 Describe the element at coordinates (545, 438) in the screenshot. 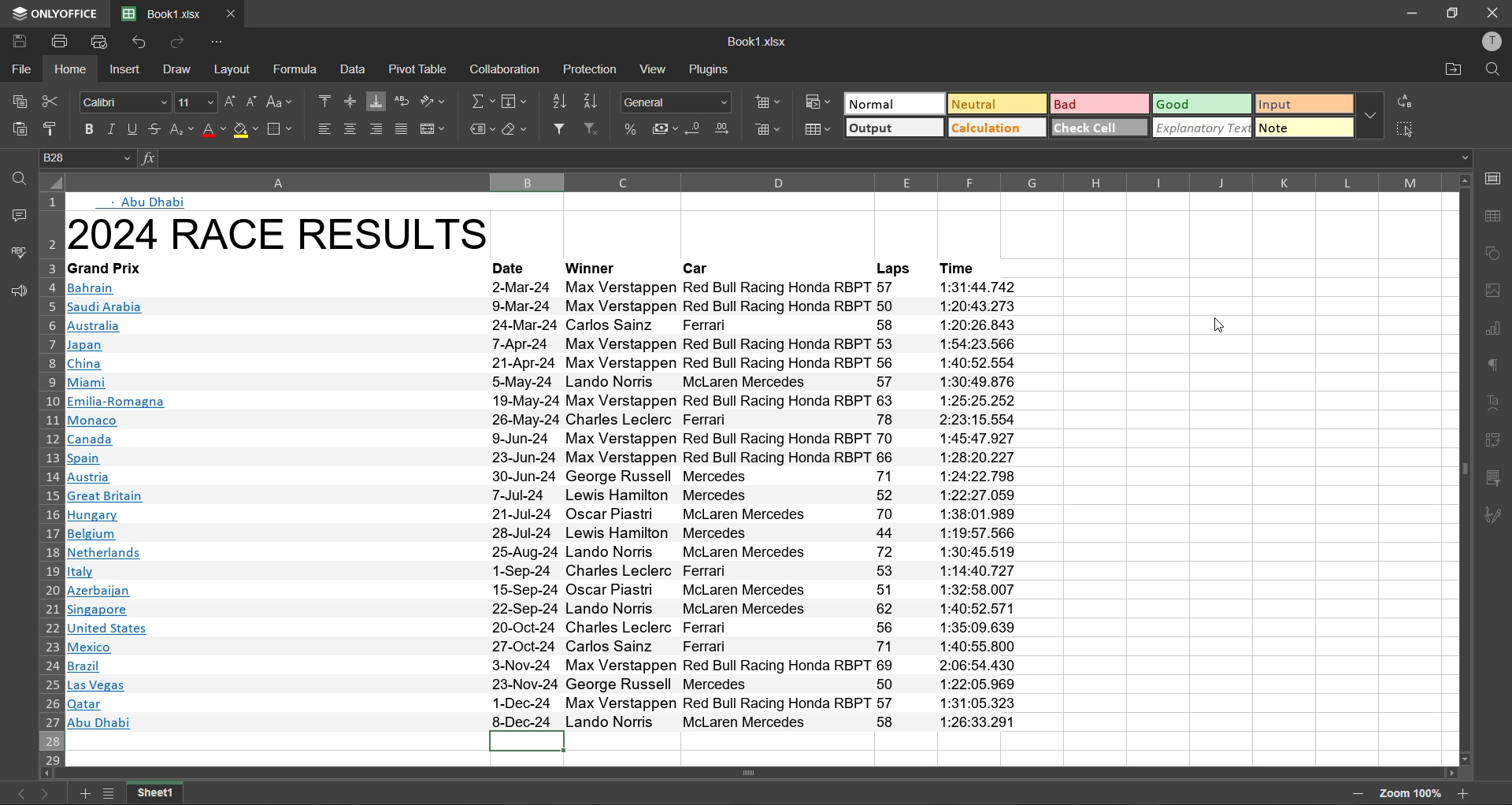

I see `Canada 9-Jun-24 Max Verstappen Red Bull Racing Honda RBPT 70 1:45:47.927` at that location.